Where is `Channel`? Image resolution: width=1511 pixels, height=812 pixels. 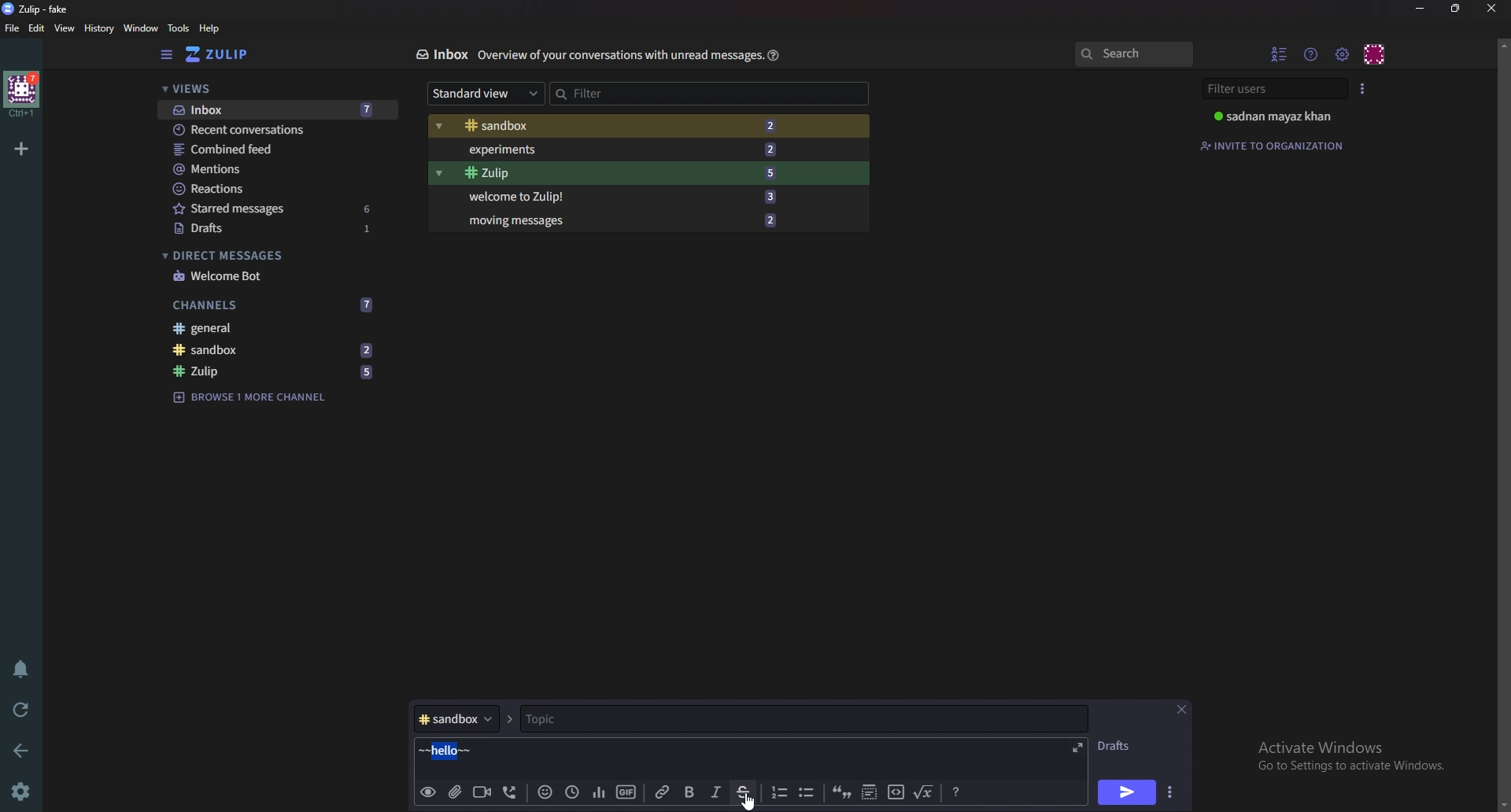 Channel is located at coordinates (456, 718).